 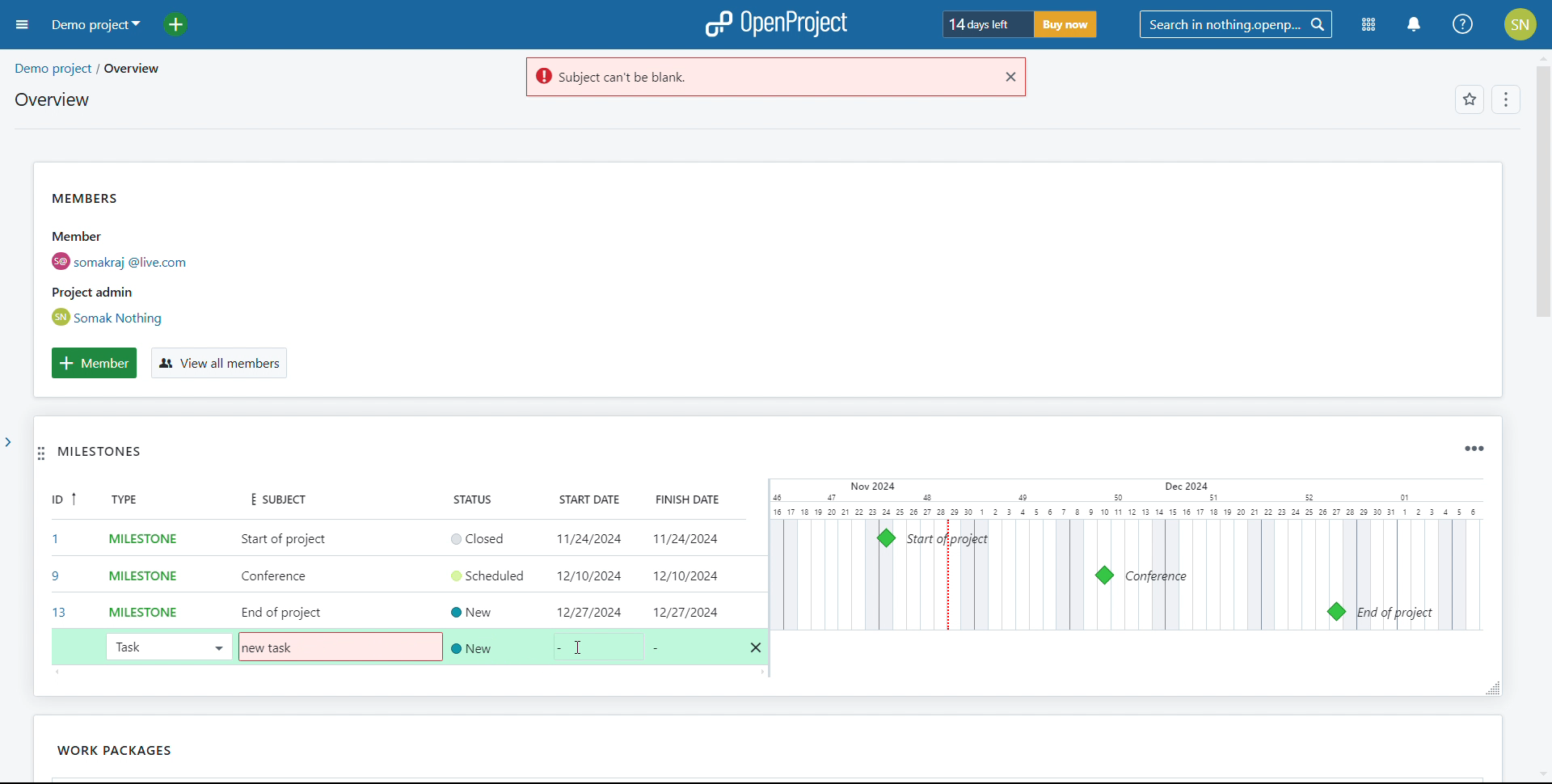 What do you see at coordinates (985, 25) in the screenshot?
I see `days left for trial` at bounding box center [985, 25].